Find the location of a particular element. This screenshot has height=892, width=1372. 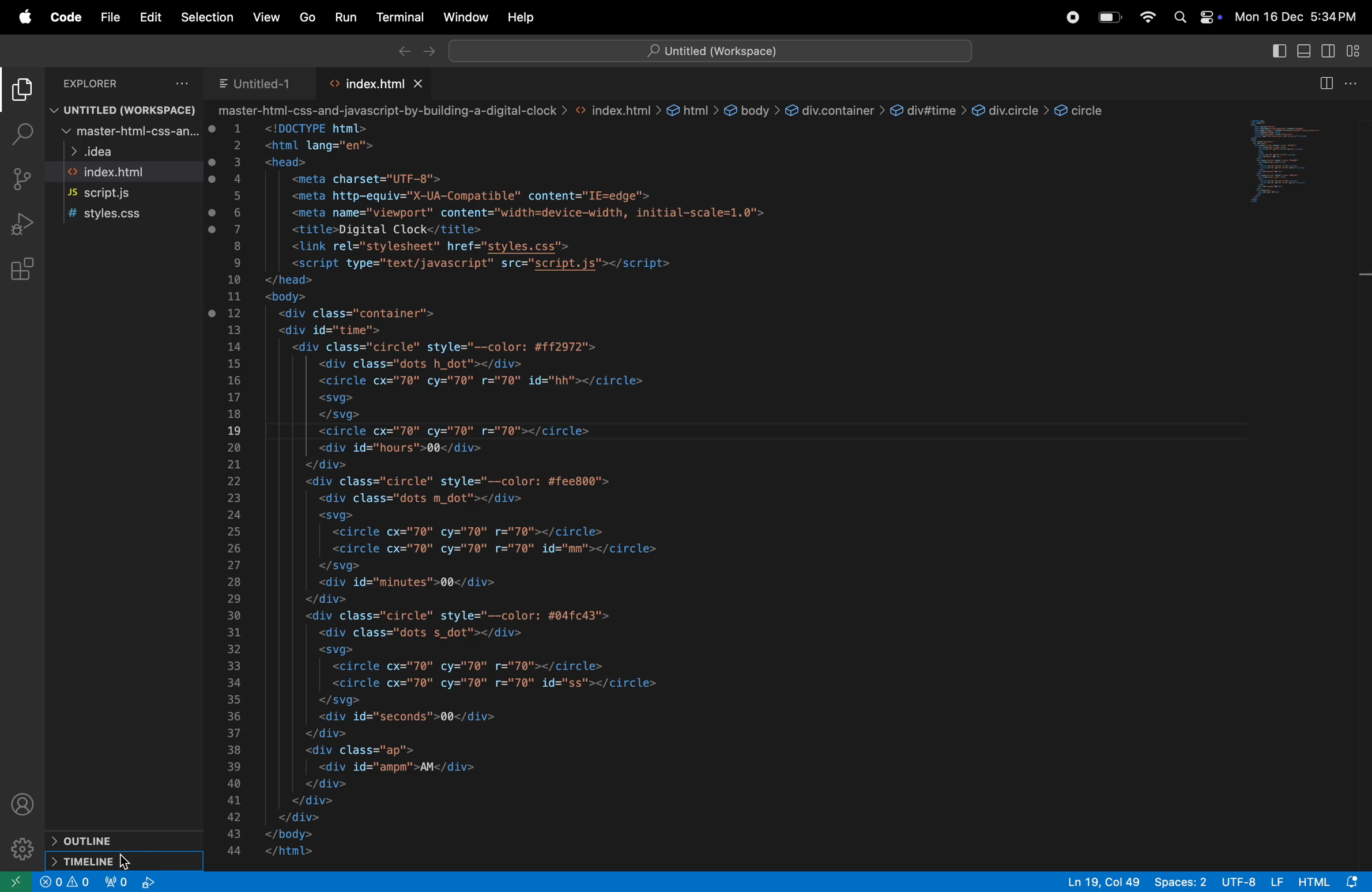

<html lang="en"> is located at coordinates (315, 145).